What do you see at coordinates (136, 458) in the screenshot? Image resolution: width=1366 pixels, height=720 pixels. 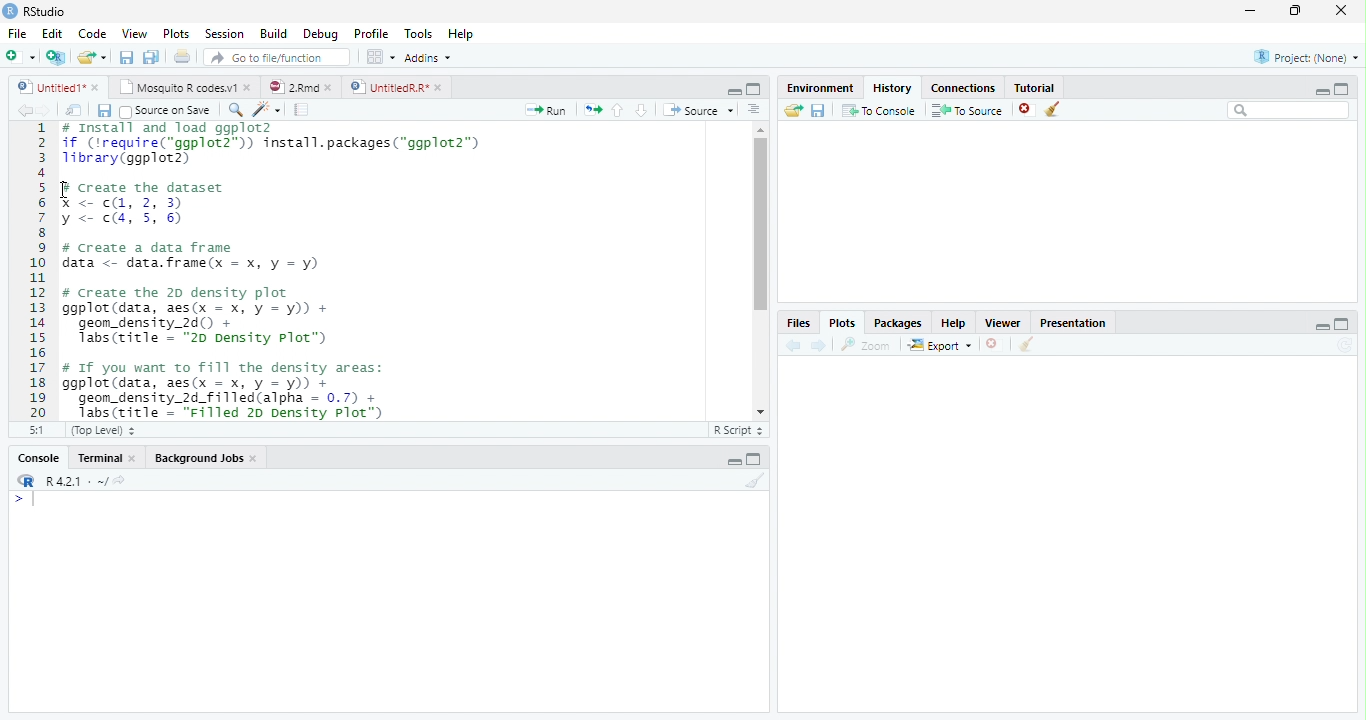 I see `close` at bounding box center [136, 458].